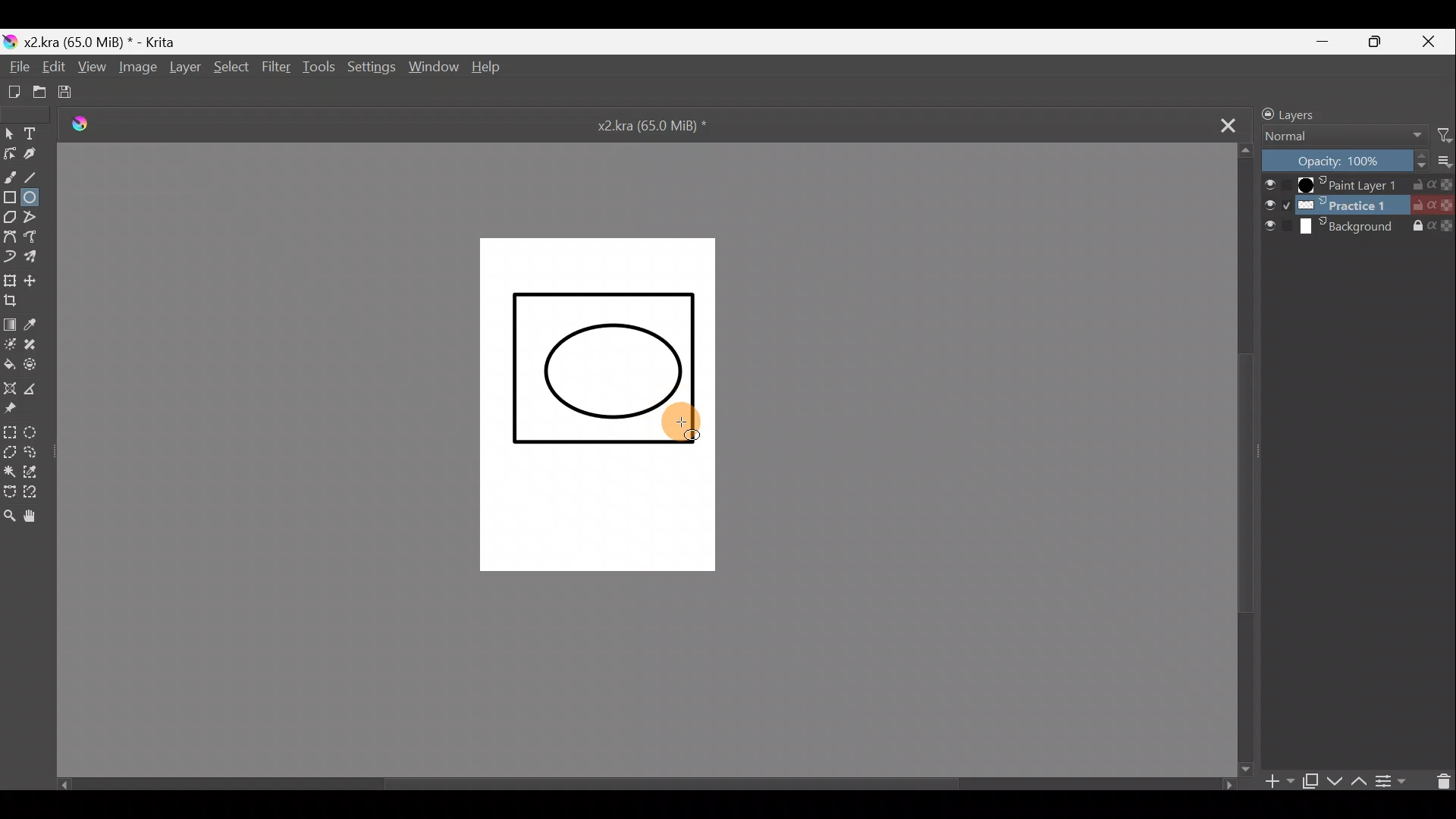 The image size is (1456, 819). I want to click on Create a new document, so click(14, 89).